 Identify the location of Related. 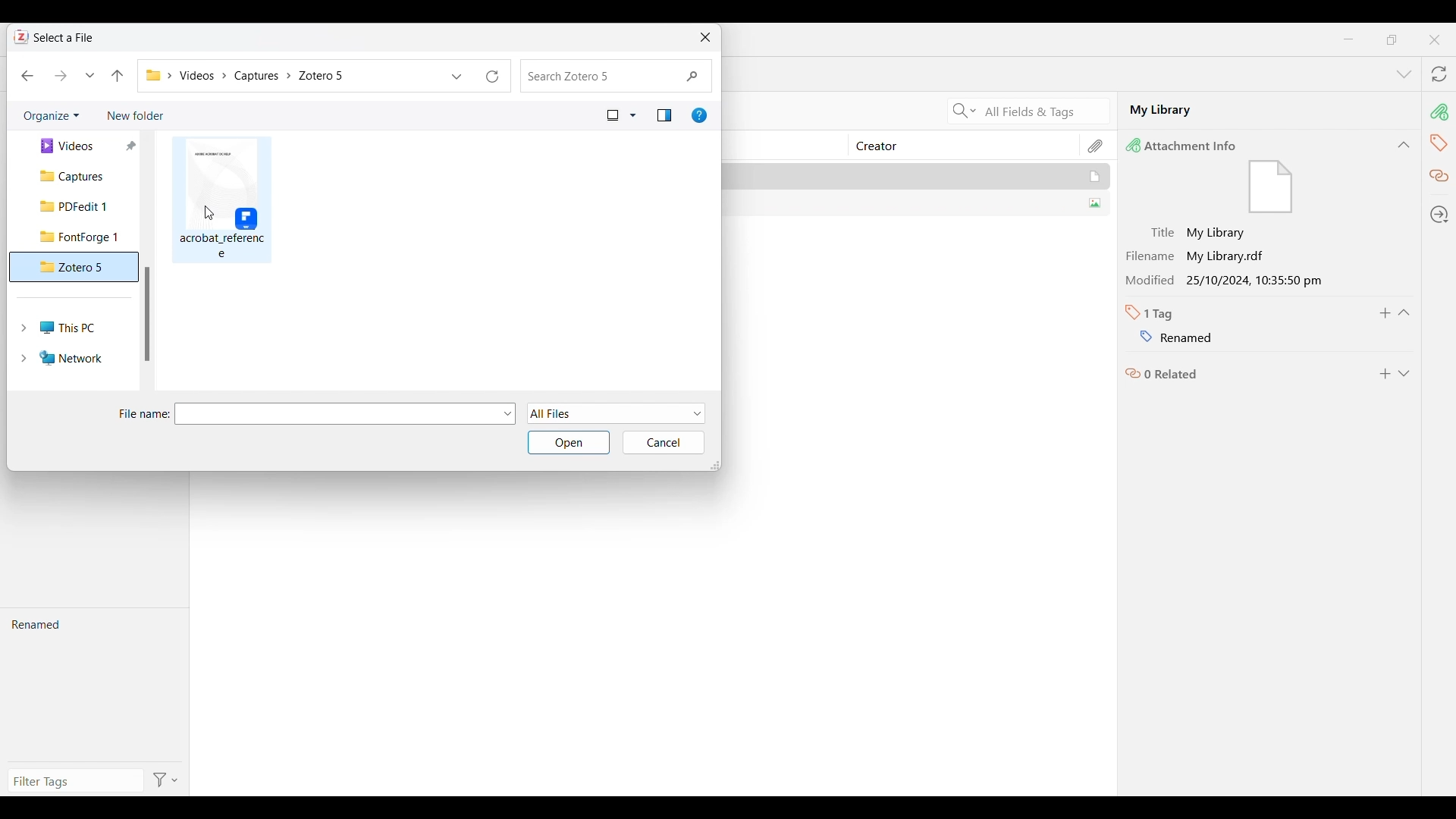
(1161, 375).